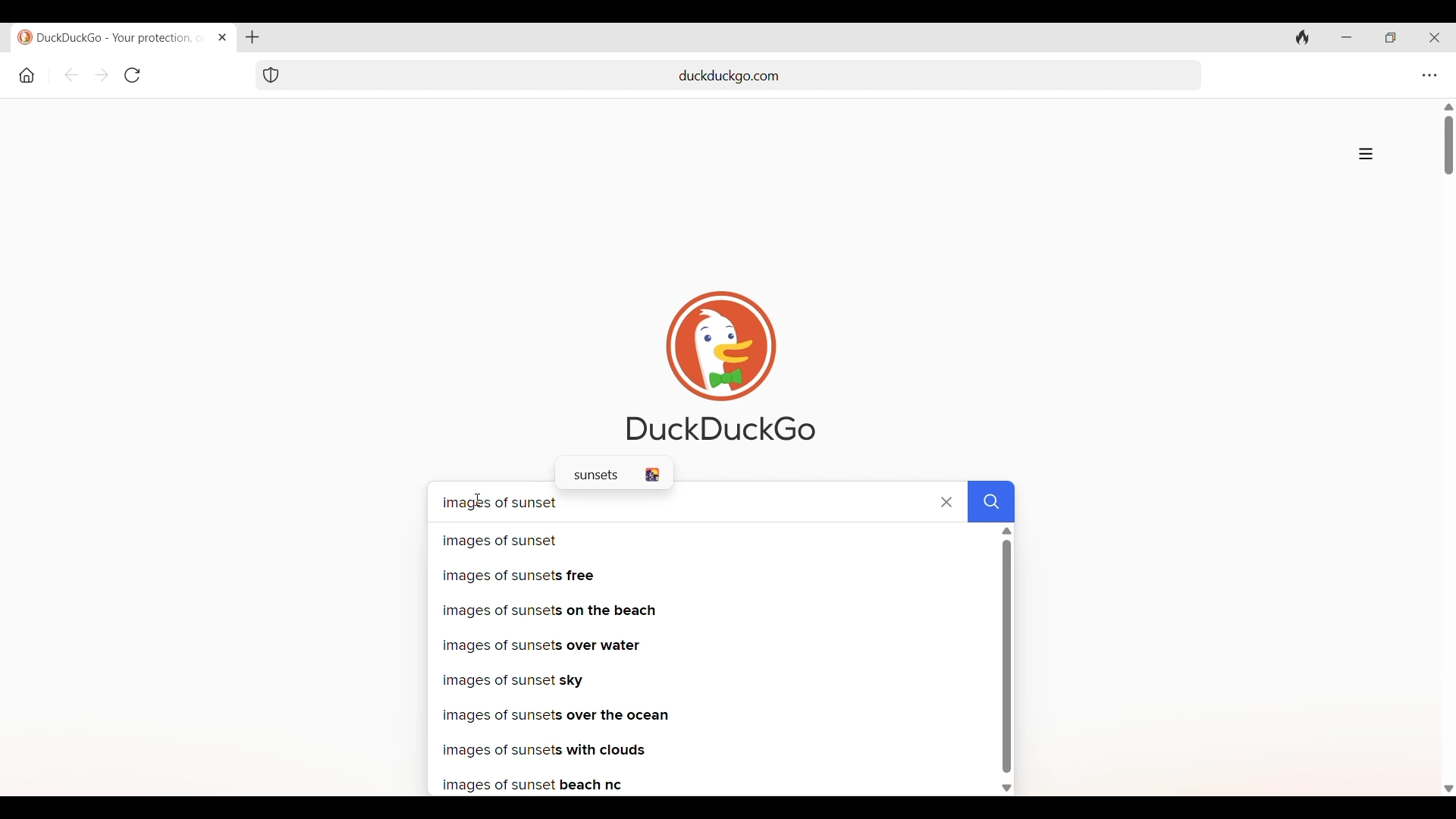 The height and width of the screenshot is (819, 1456). I want to click on Vertical slide bar, so click(1450, 145).